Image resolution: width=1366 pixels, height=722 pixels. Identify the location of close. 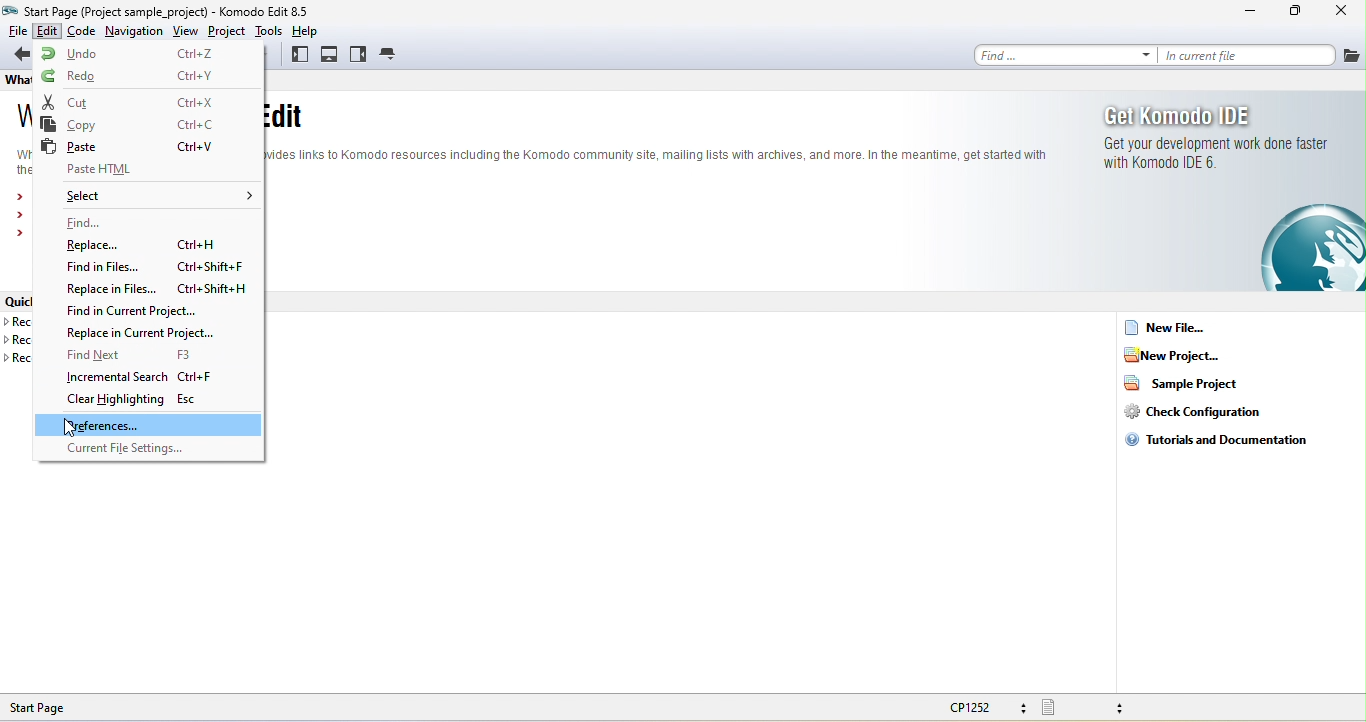
(1347, 12).